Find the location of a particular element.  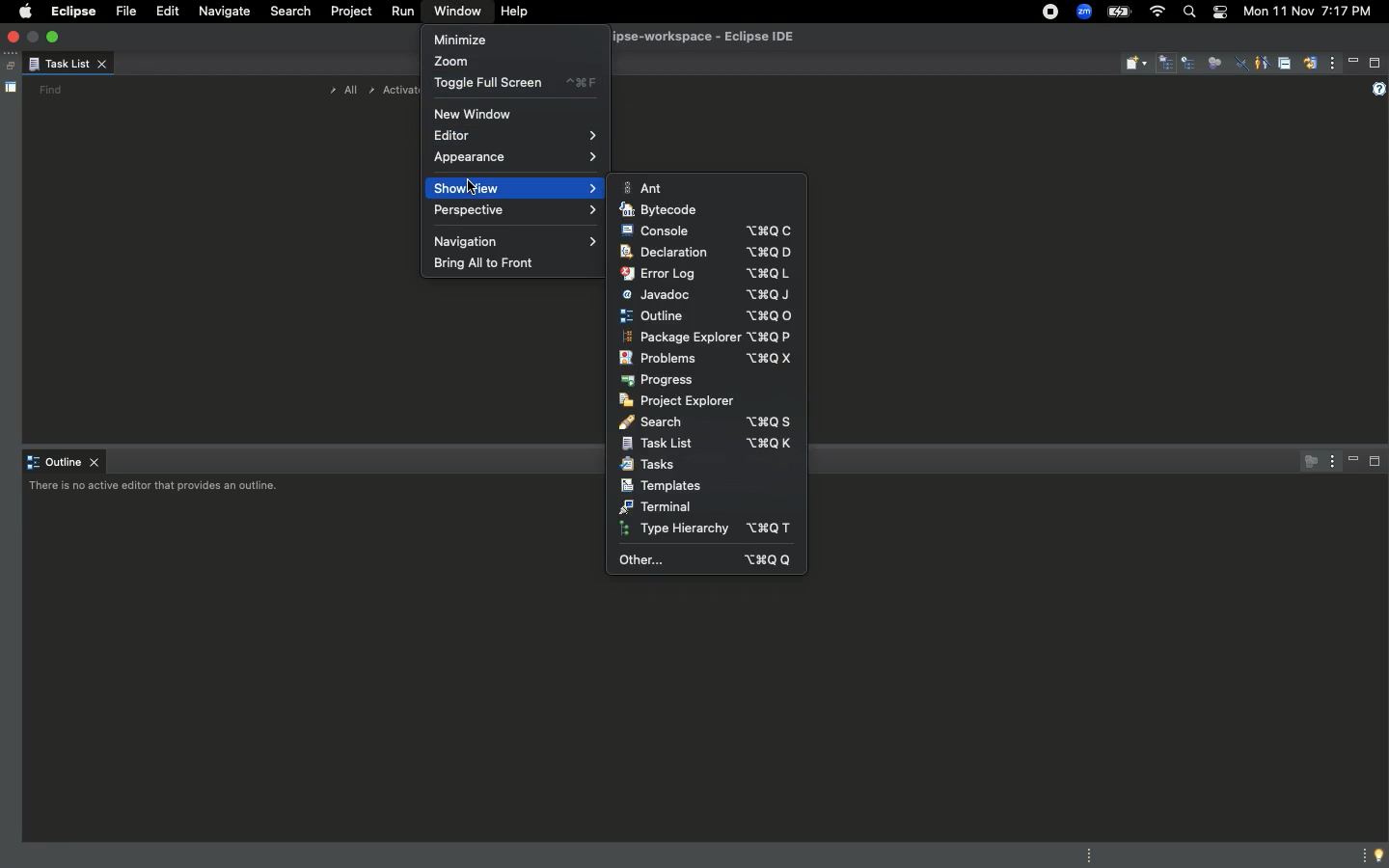

Declaration is located at coordinates (703, 251).